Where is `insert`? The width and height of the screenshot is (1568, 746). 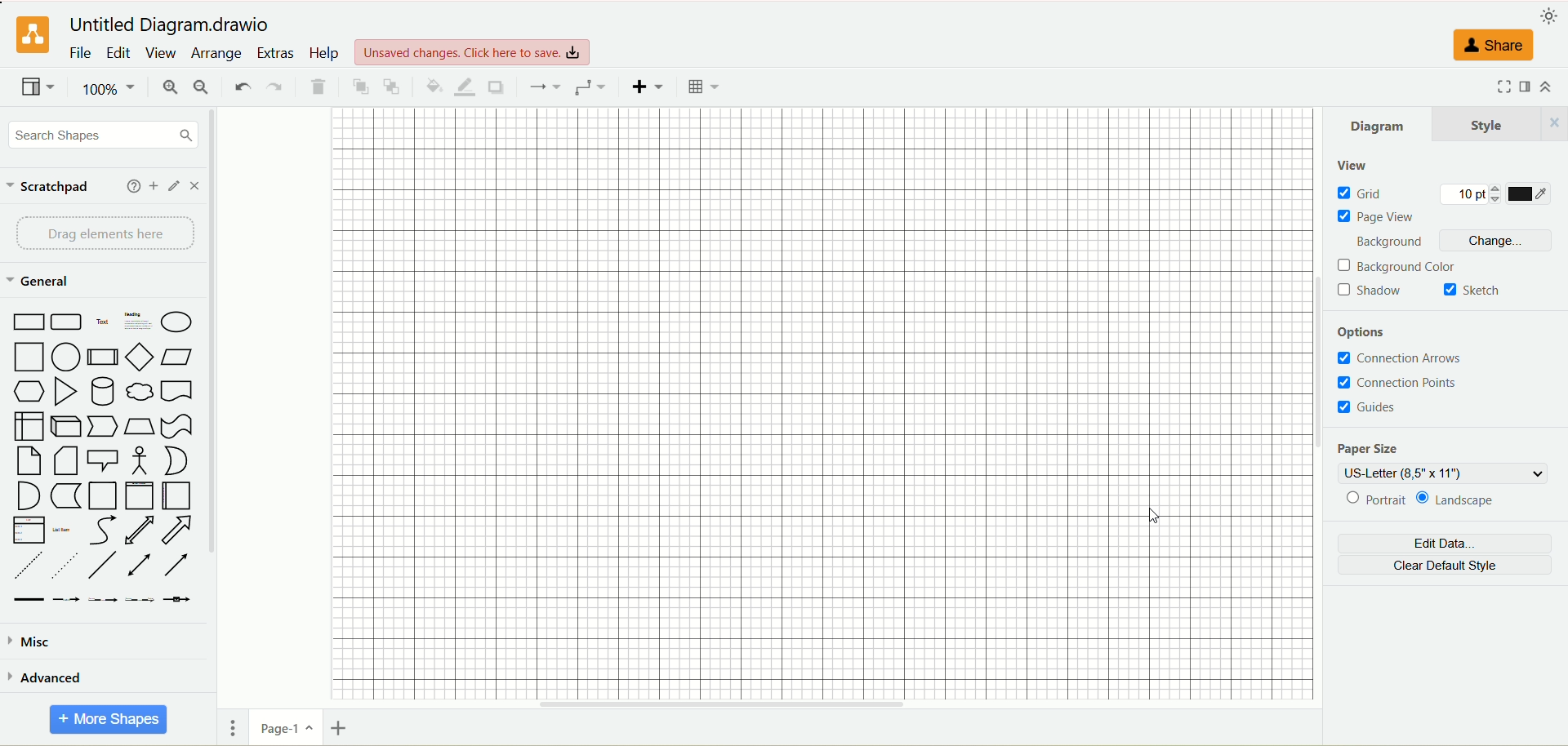 insert is located at coordinates (648, 87).